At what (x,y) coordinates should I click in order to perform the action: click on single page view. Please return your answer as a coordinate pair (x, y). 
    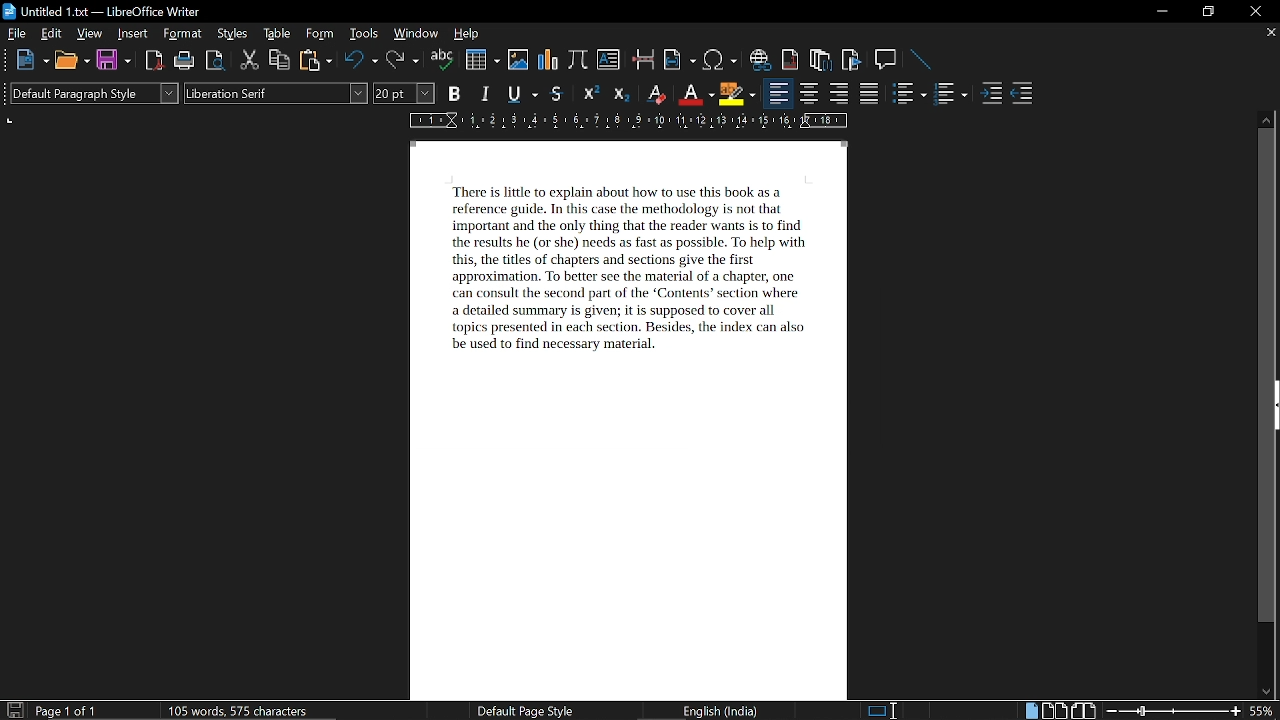
    Looking at the image, I should click on (1030, 710).